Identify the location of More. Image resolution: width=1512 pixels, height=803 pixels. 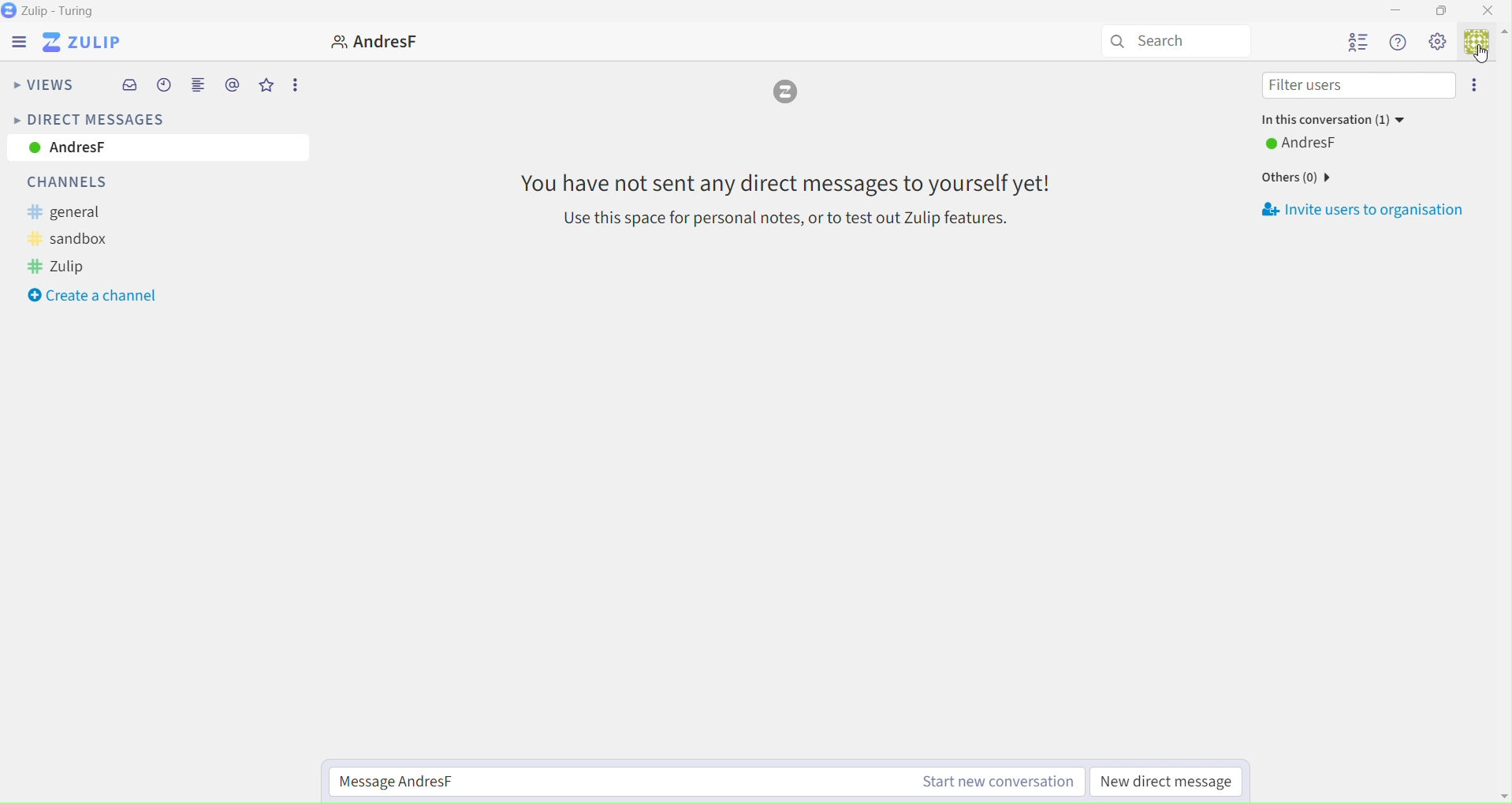
(295, 84).